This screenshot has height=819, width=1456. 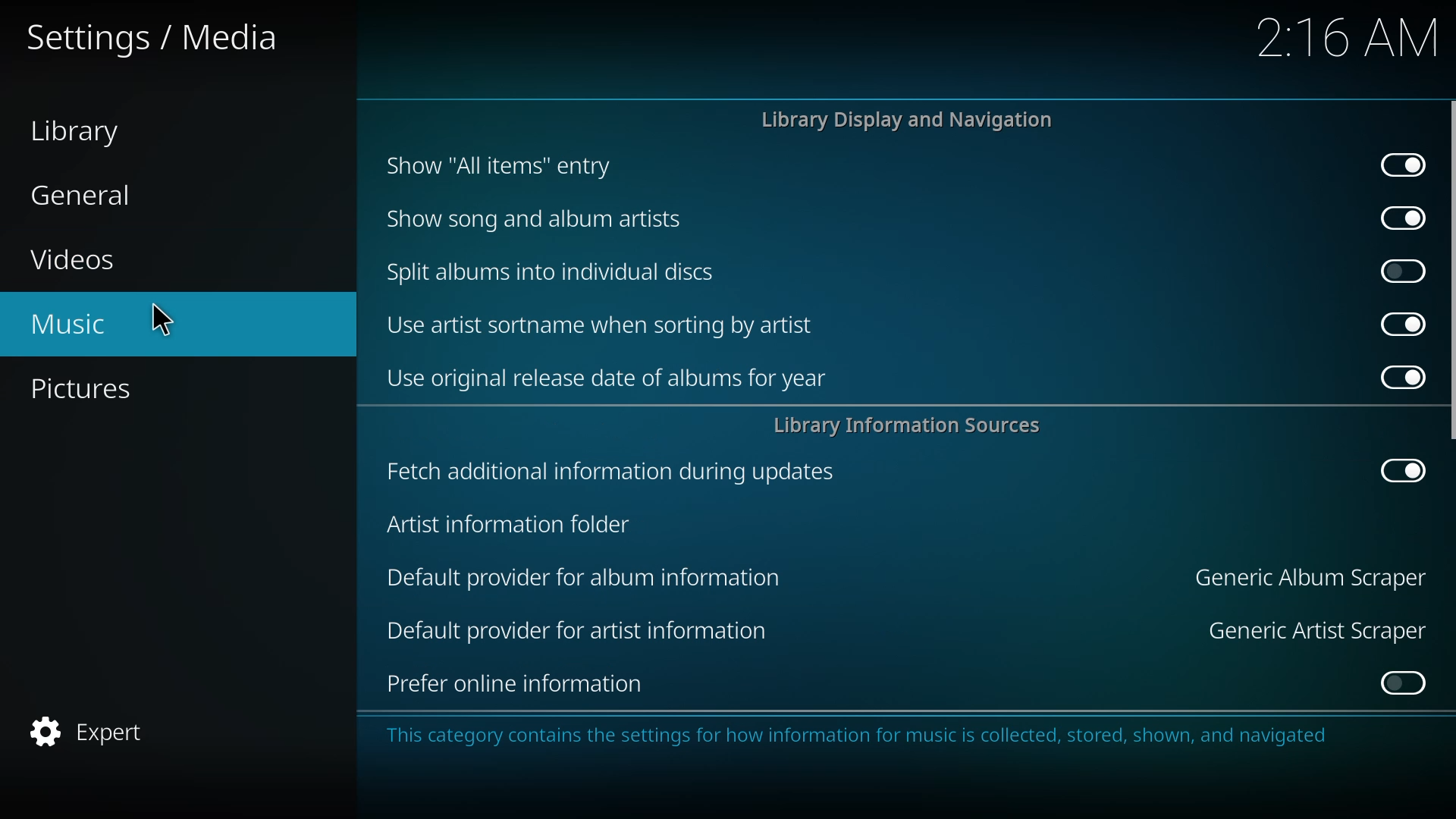 What do you see at coordinates (97, 730) in the screenshot?
I see `expert` at bounding box center [97, 730].